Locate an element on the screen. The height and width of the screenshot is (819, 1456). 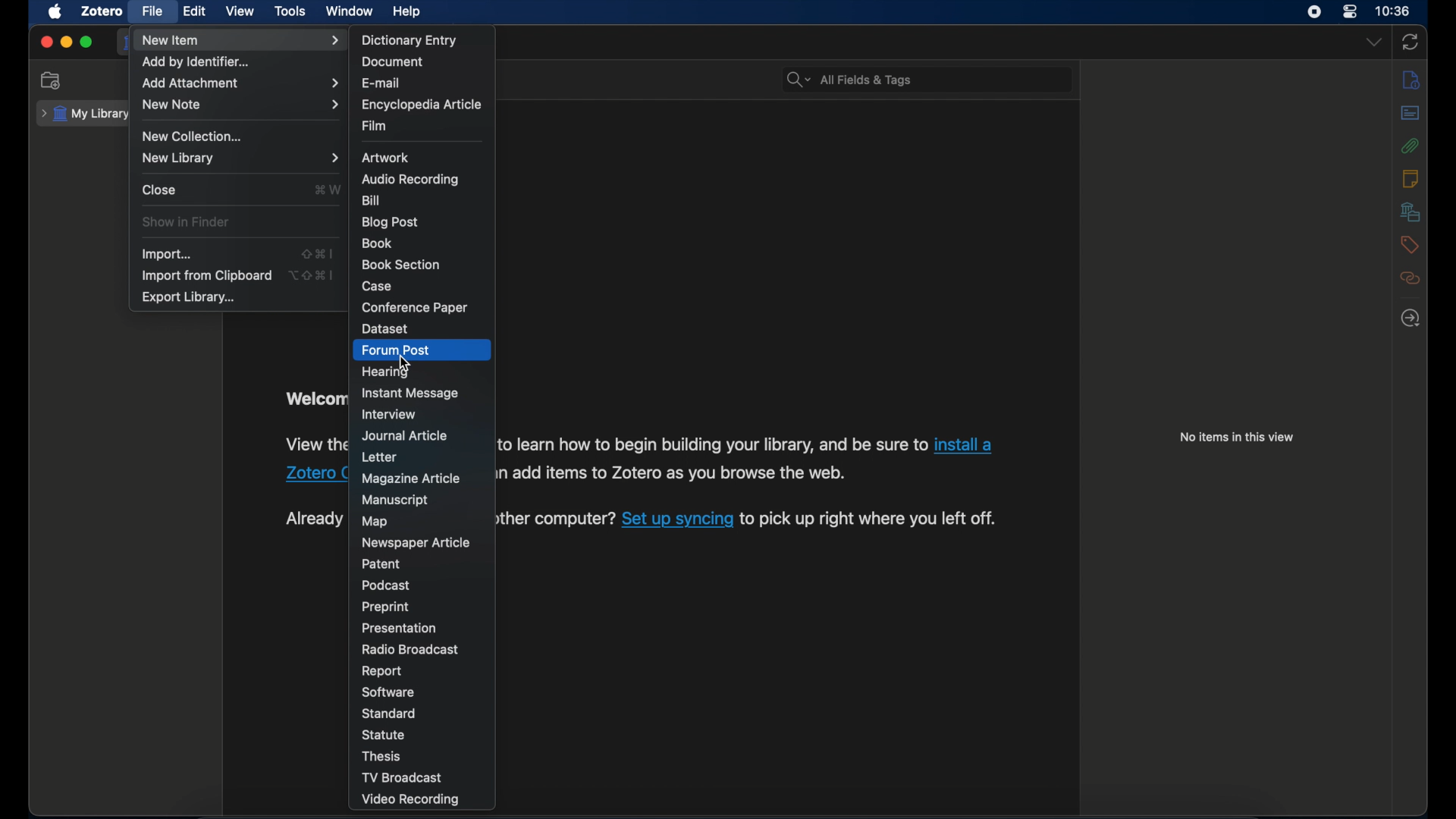
new collection is located at coordinates (51, 80).